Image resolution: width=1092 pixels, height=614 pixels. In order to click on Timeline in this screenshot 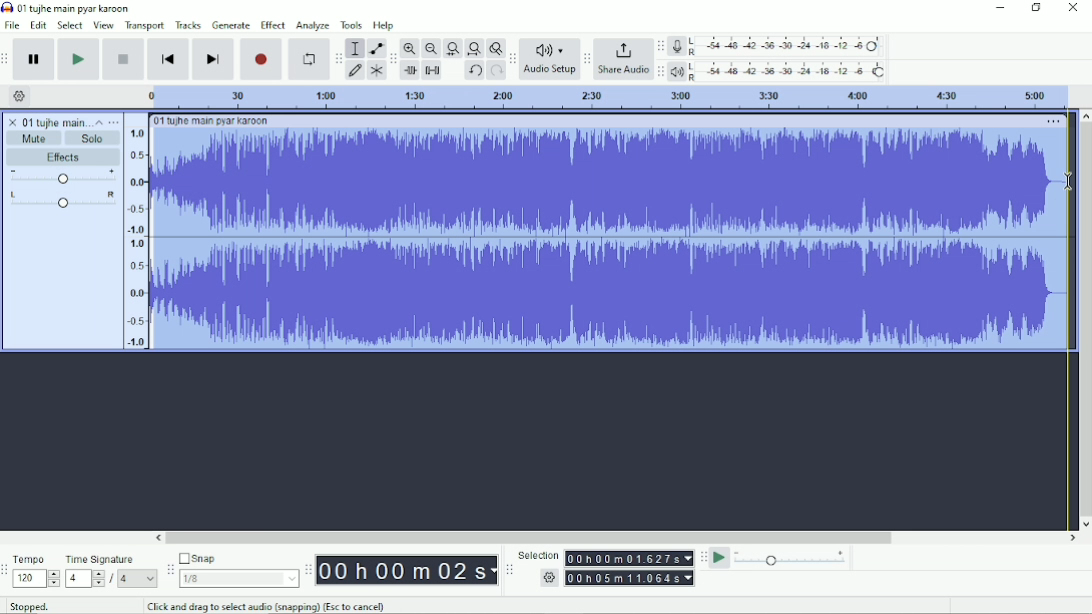, I will do `click(605, 97)`.